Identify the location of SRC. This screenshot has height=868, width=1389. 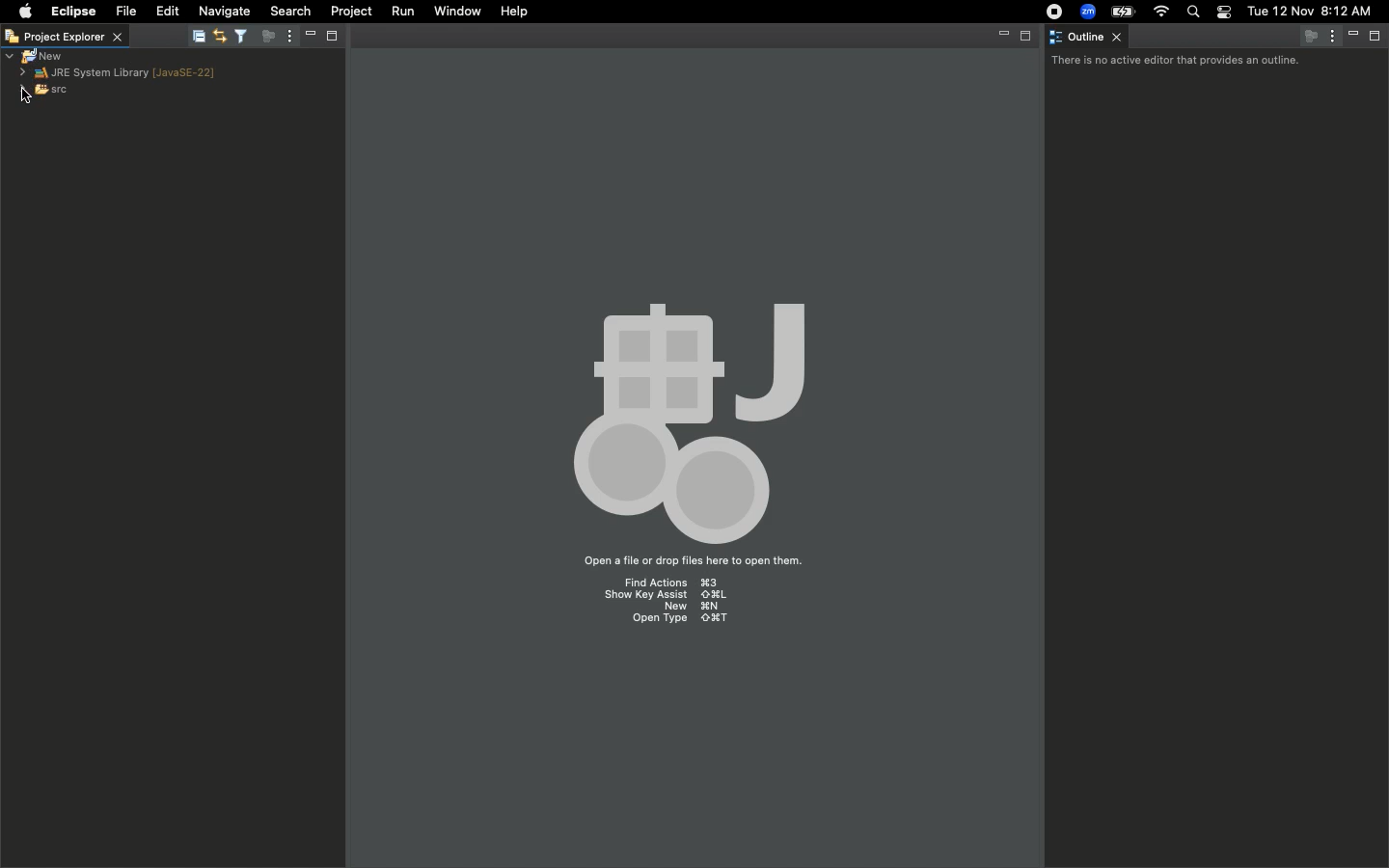
(45, 93).